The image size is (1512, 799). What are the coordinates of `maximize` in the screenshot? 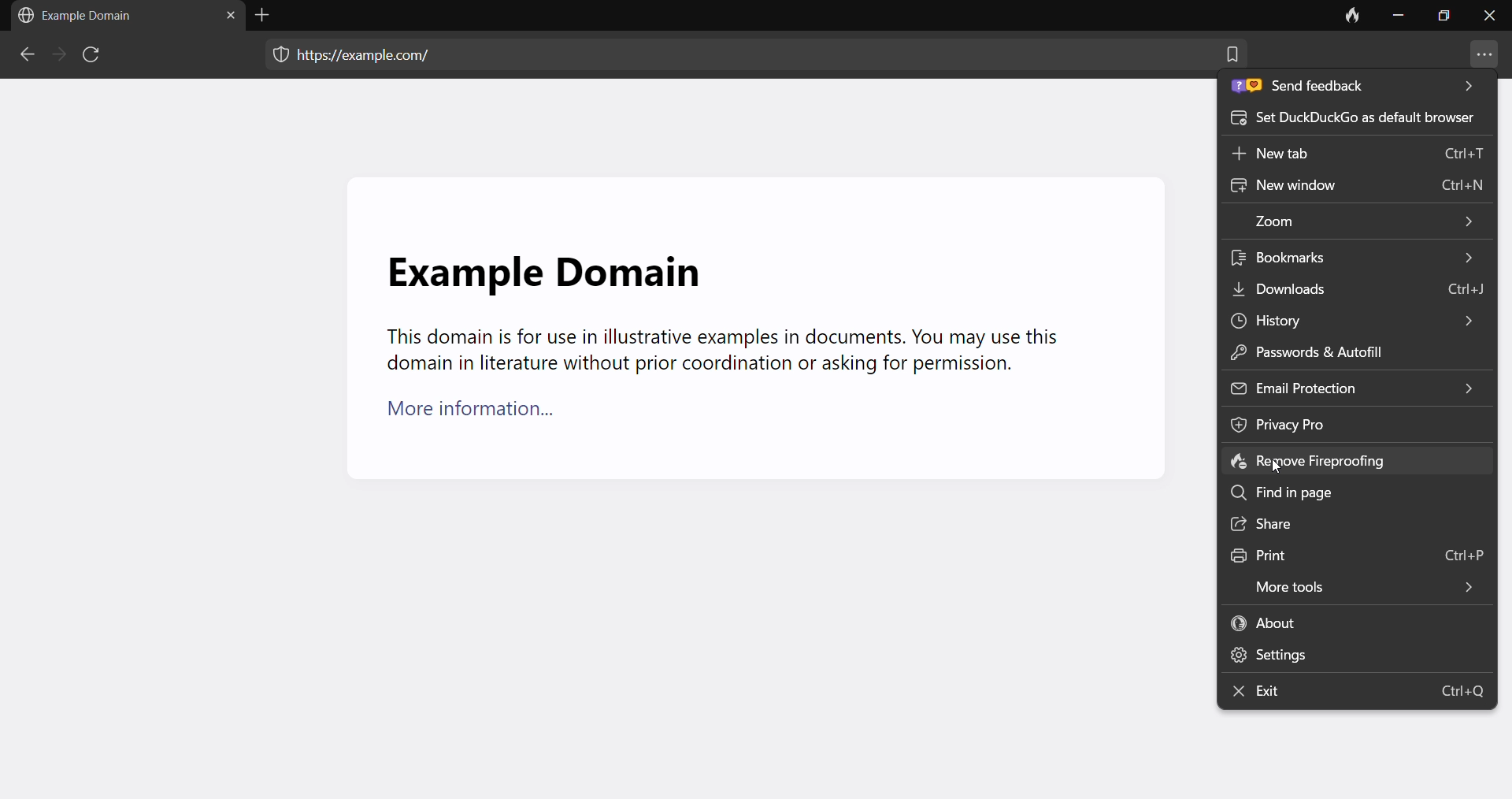 It's located at (1442, 19).